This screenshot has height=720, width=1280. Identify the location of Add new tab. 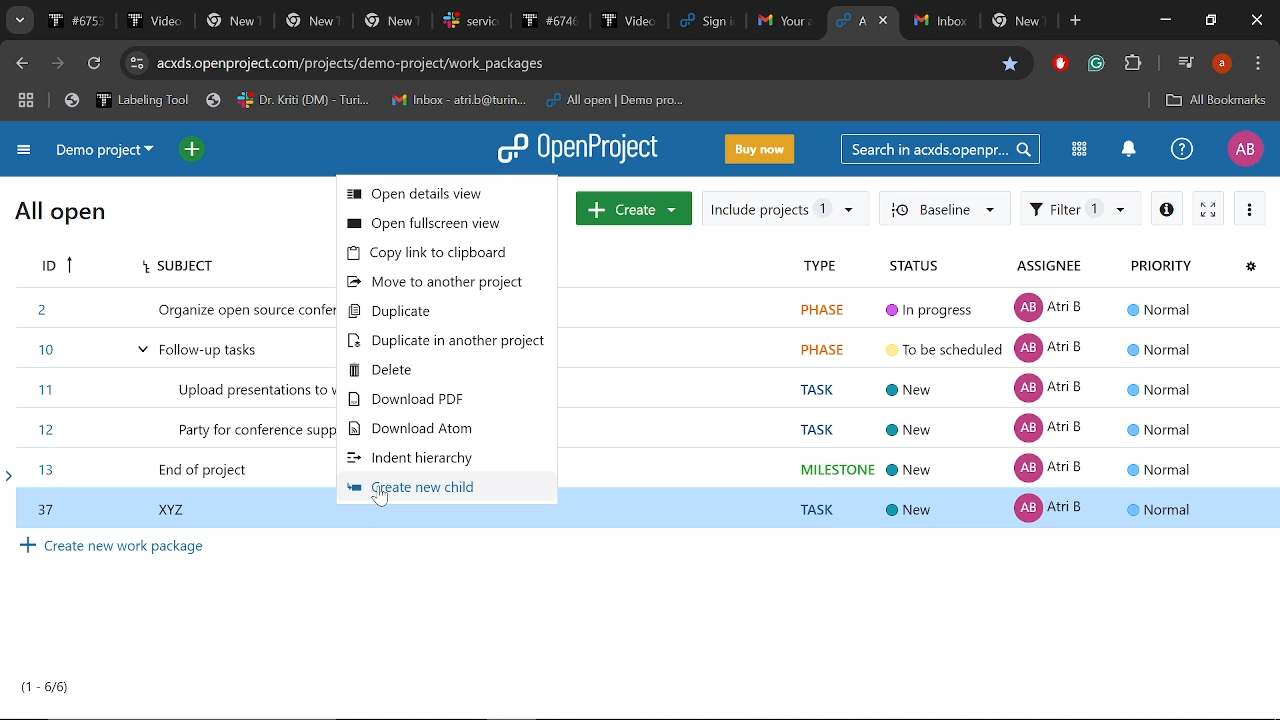
(1077, 21).